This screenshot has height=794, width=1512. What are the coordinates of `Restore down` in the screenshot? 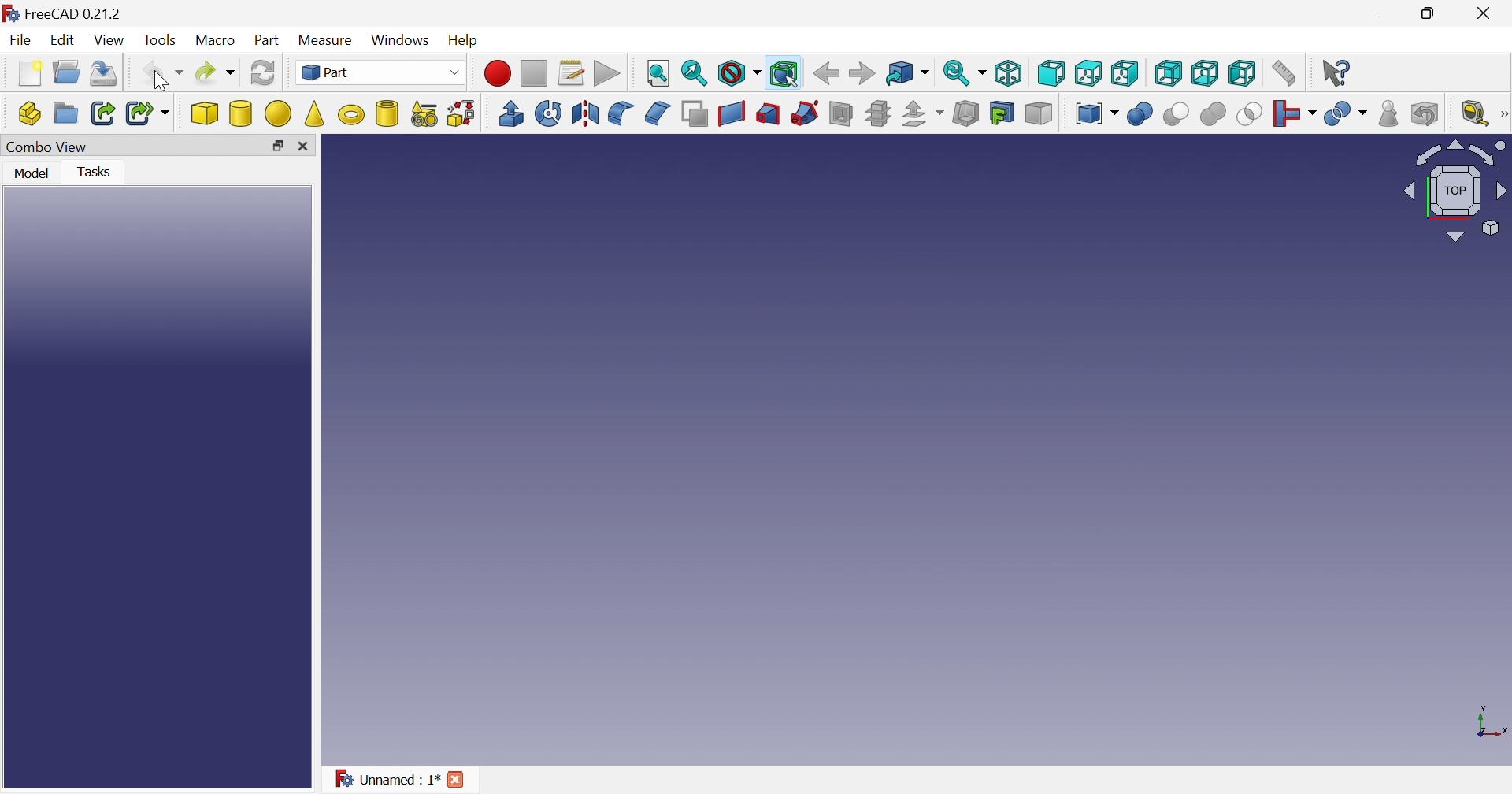 It's located at (1429, 13).